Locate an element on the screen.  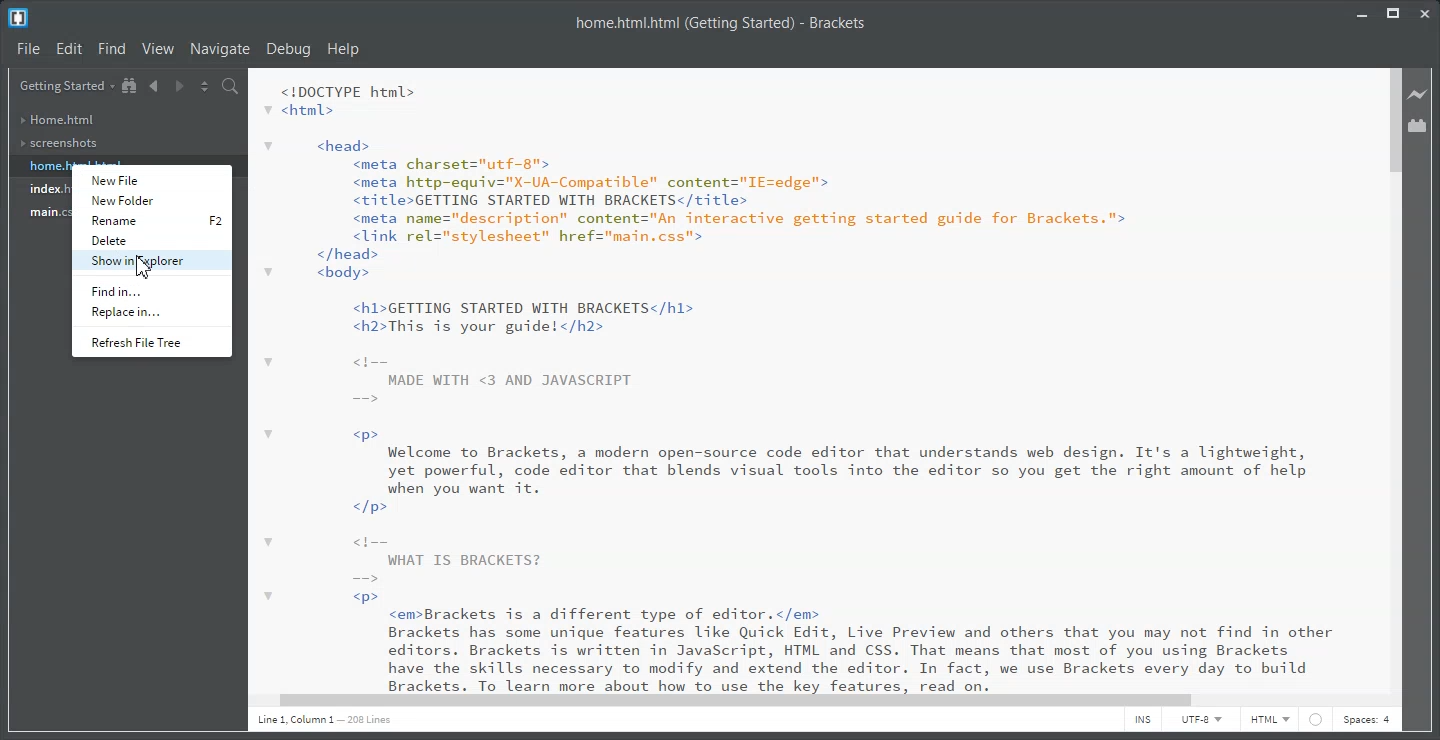
cursor is located at coordinates (138, 271).